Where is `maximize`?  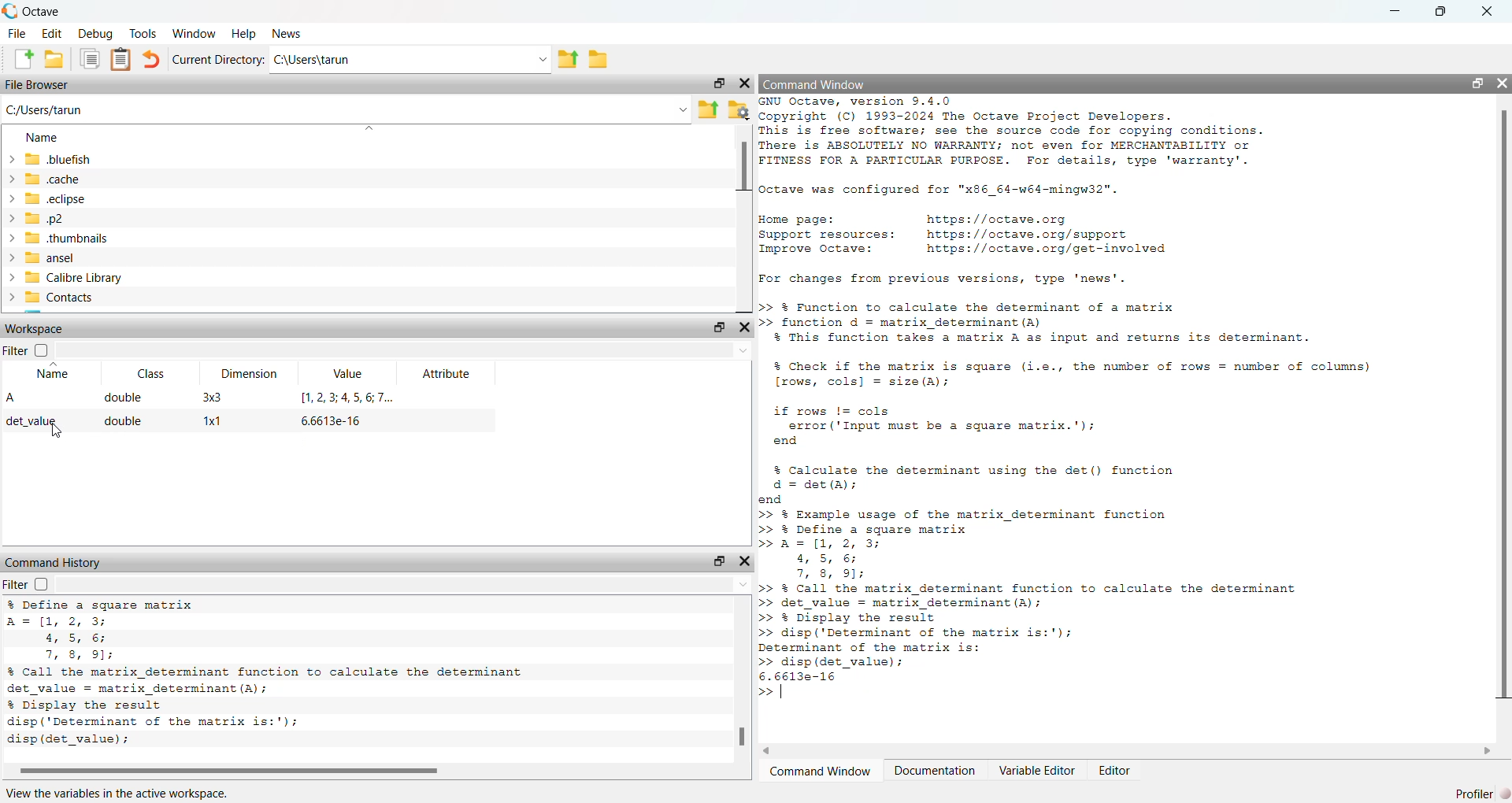 maximize is located at coordinates (717, 329).